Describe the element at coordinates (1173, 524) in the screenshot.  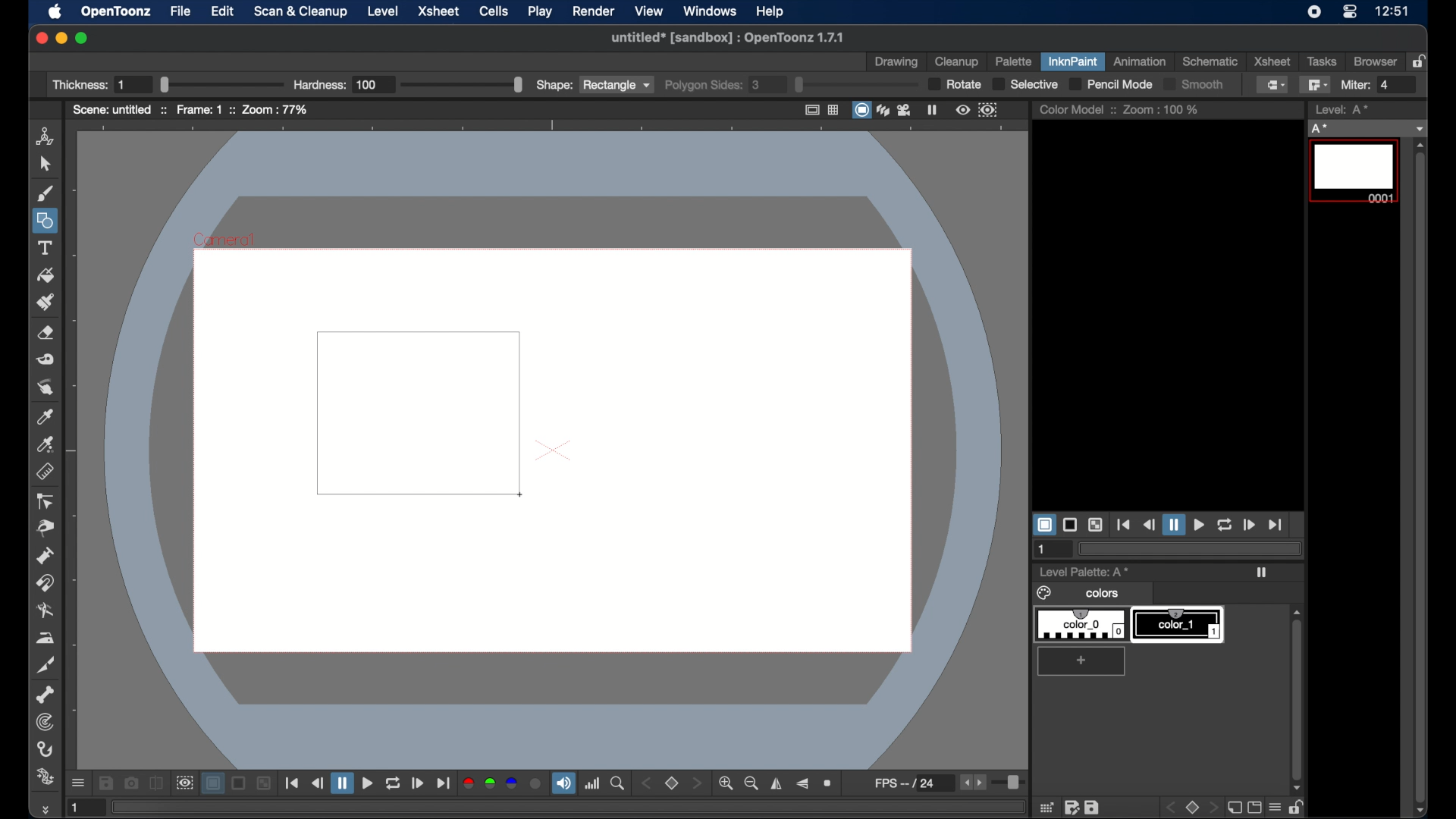
I see `pause button` at that location.